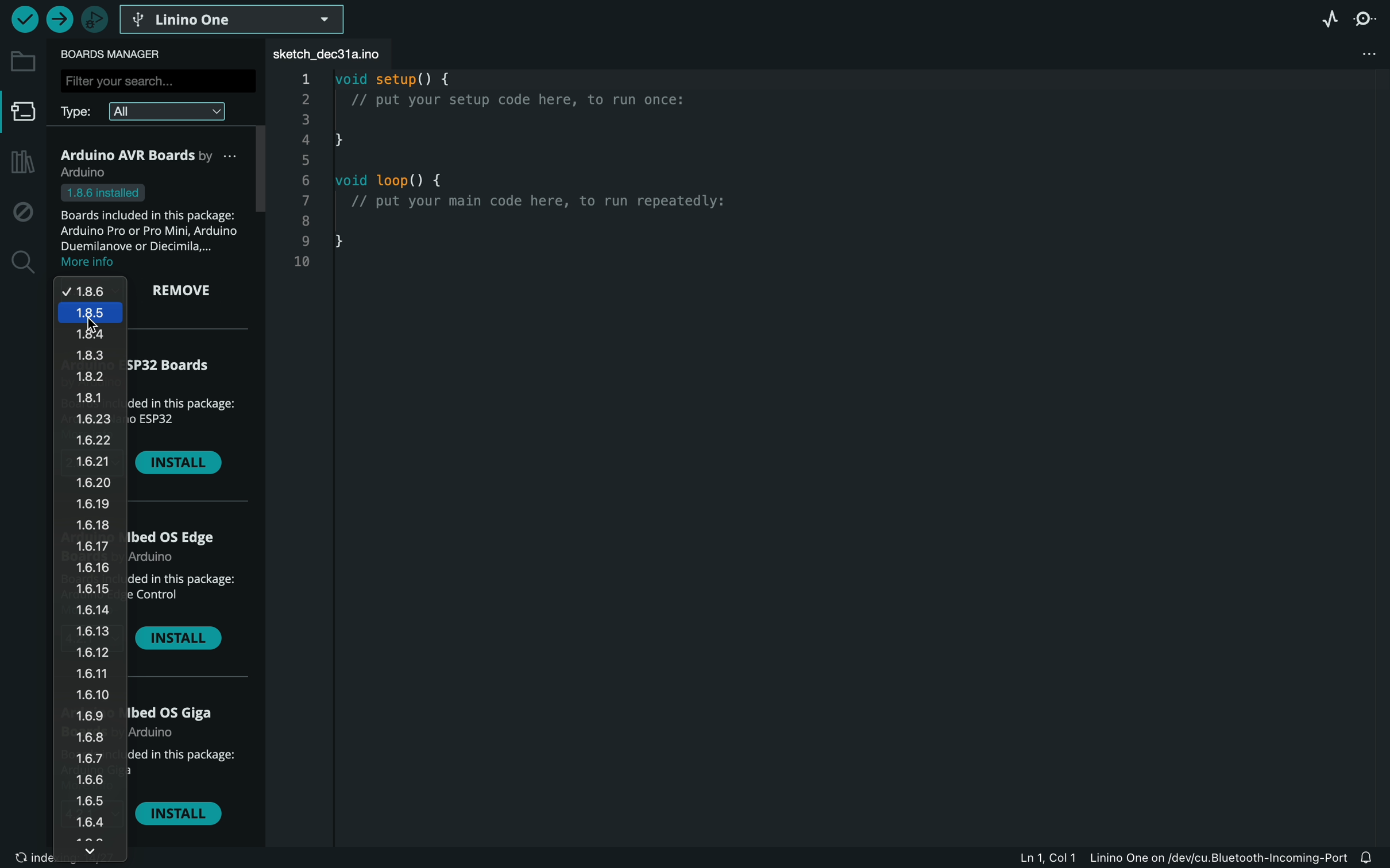 The height and width of the screenshot is (868, 1390). I want to click on DESCRIPTION, so click(182, 770).